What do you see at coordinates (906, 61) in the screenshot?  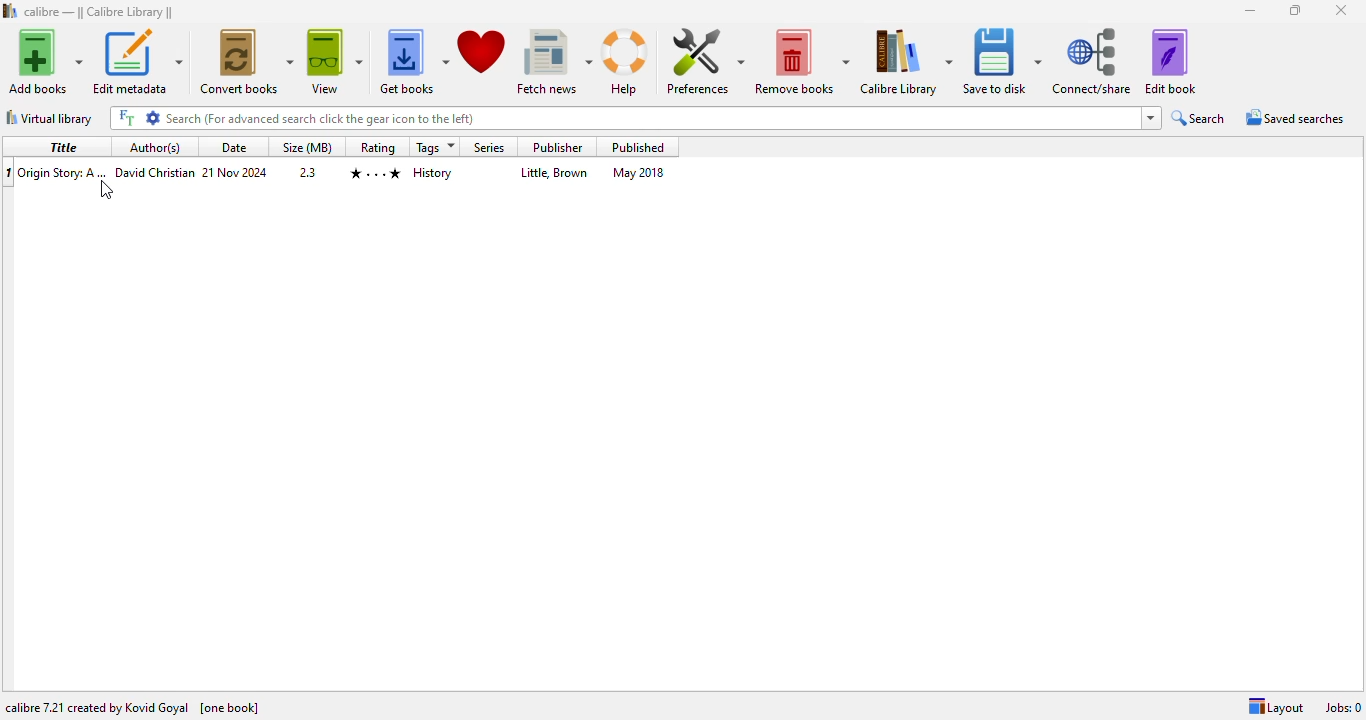 I see `calibre library` at bounding box center [906, 61].